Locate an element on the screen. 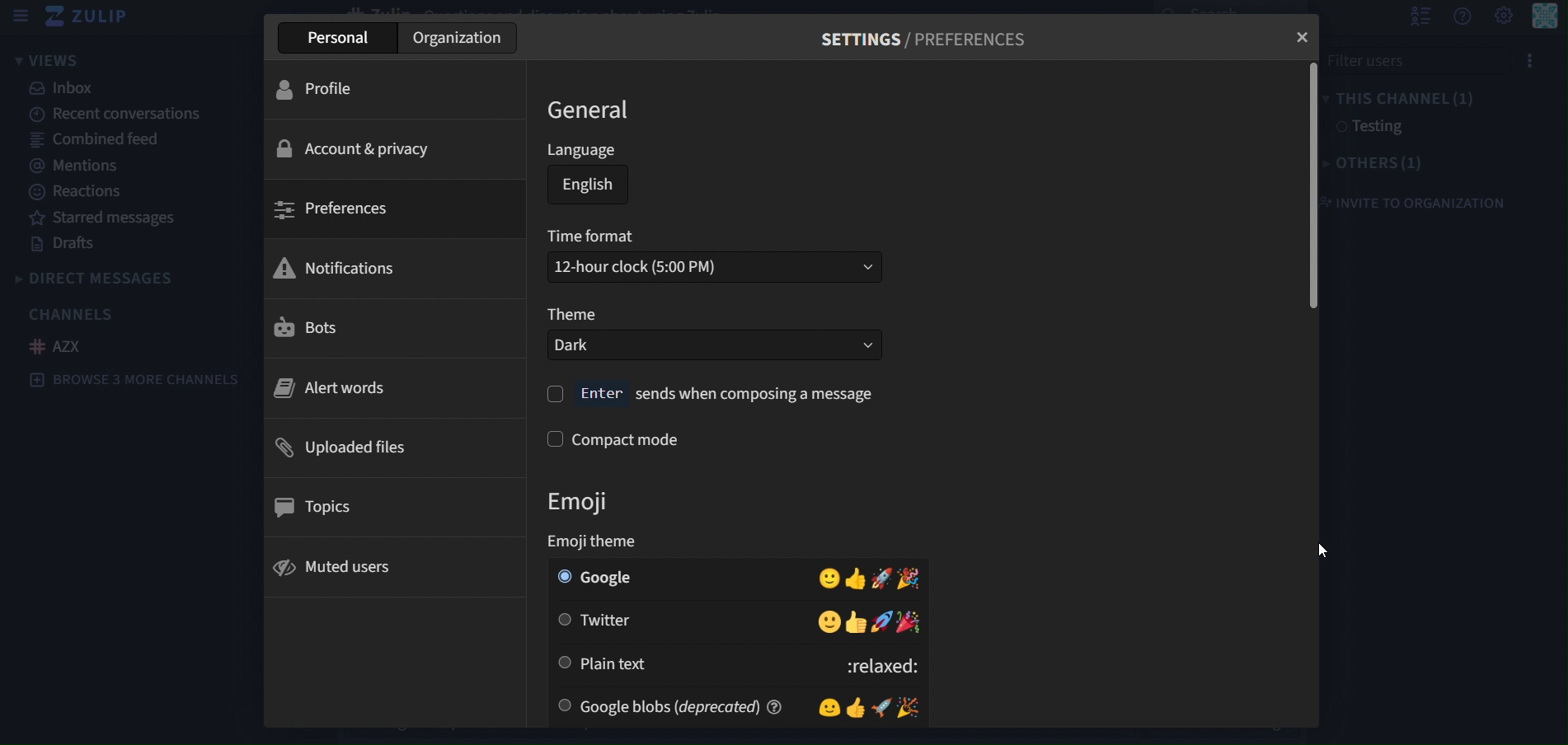 This screenshot has height=745, width=1568. zulip is located at coordinates (89, 17).